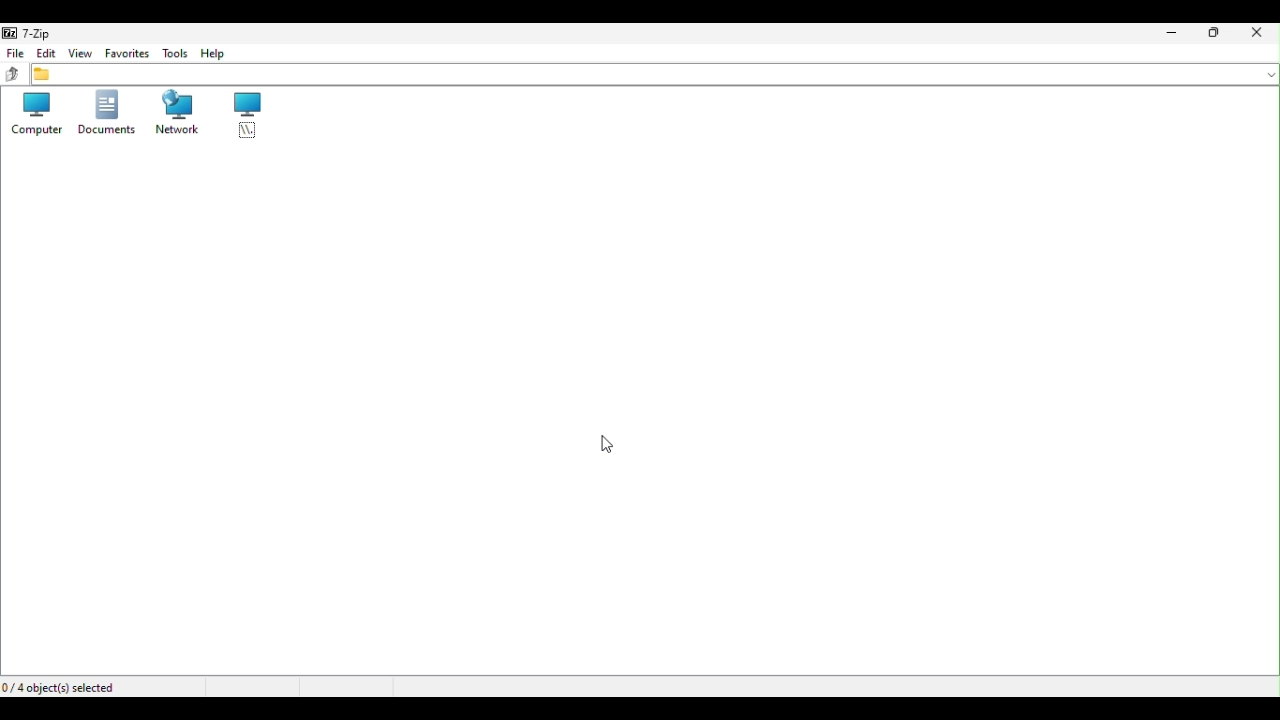  Describe the element at coordinates (127, 53) in the screenshot. I see `Favourite` at that location.